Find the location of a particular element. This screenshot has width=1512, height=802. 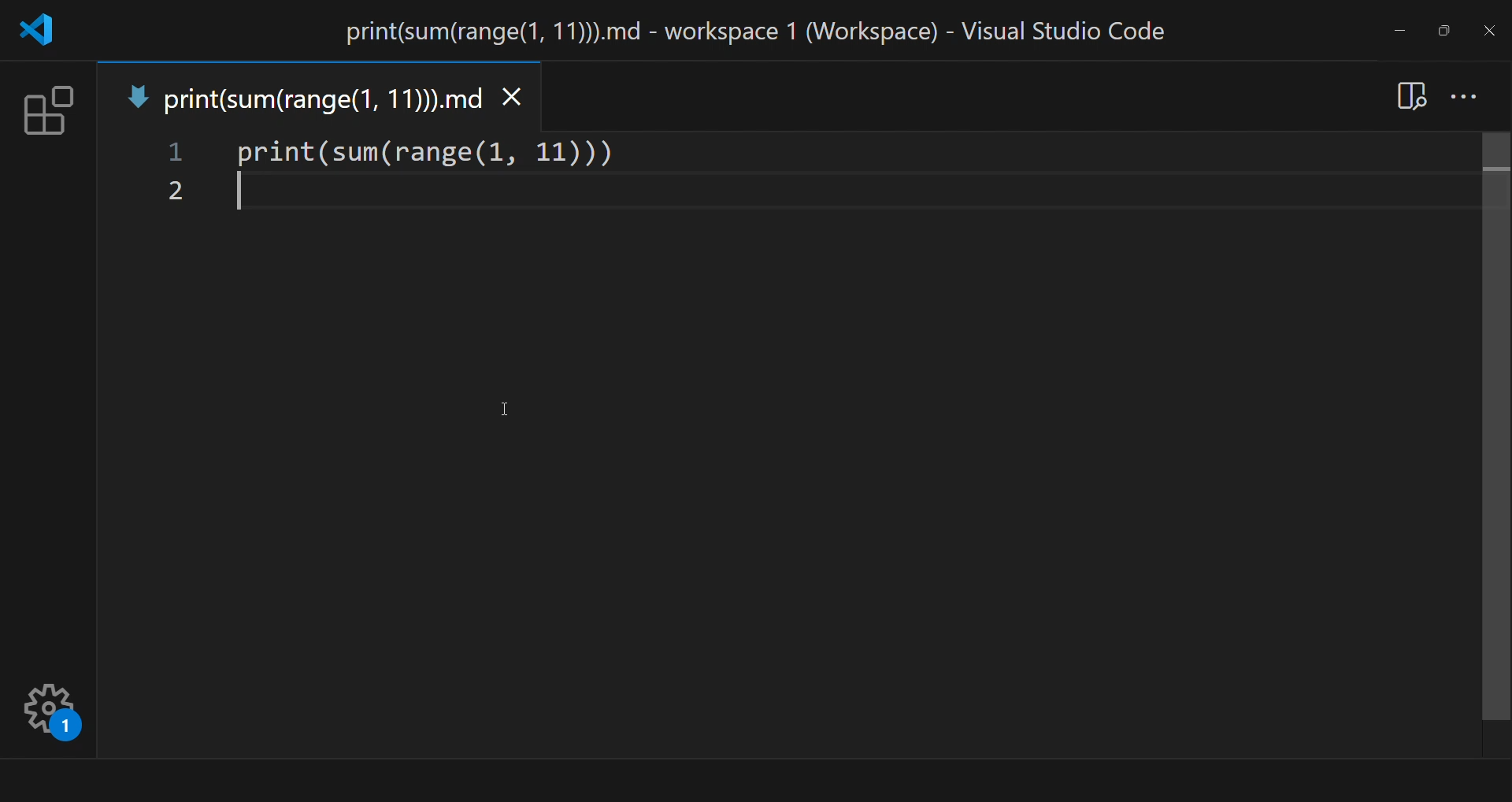

Cursor is located at coordinates (505, 410).